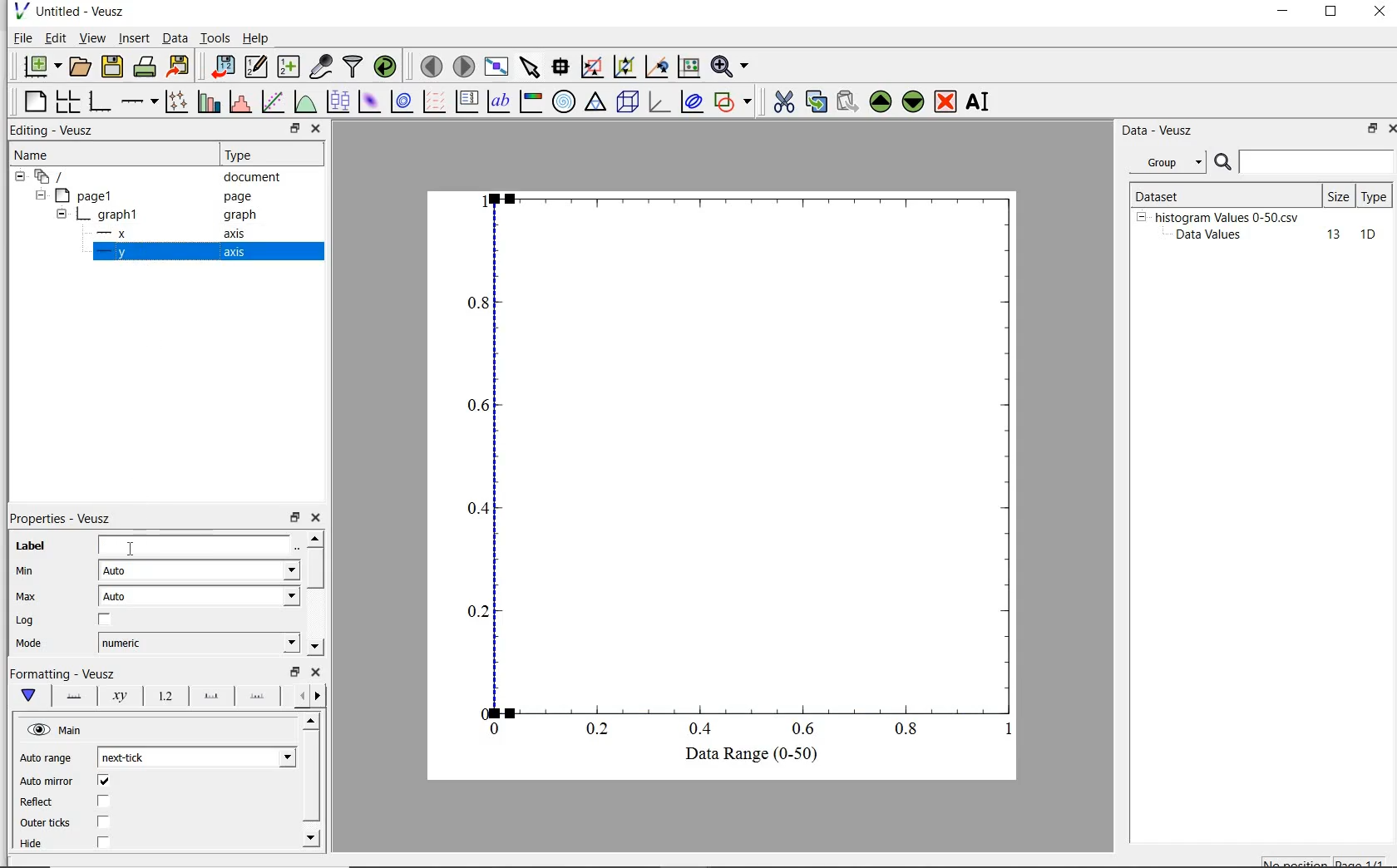 This screenshot has width=1397, height=868. I want to click on tick label, so click(164, 697).